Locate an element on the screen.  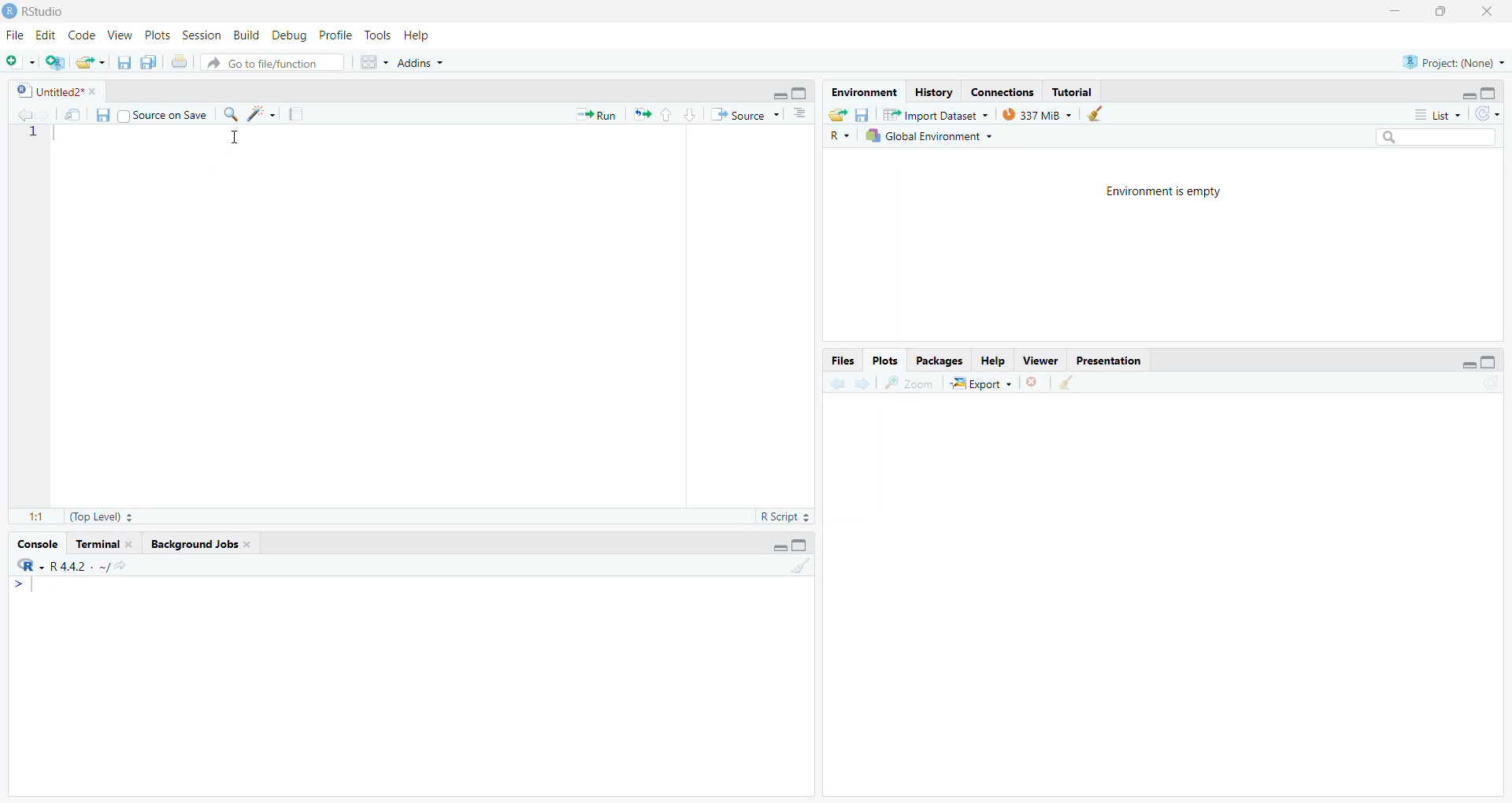
 Go to file/function is located at coordinates (270, 62).